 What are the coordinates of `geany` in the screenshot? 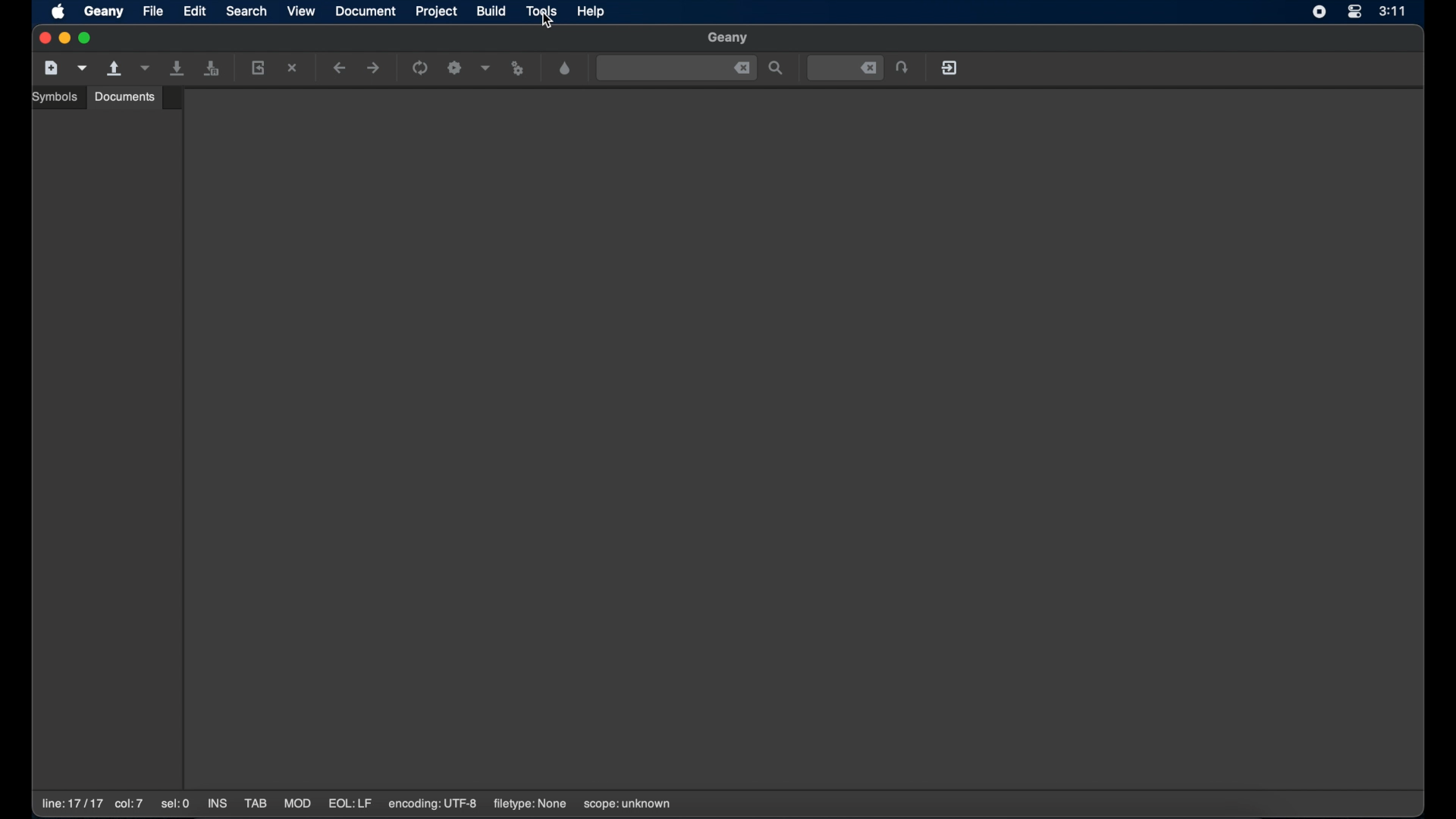 It's located at (729, 39).